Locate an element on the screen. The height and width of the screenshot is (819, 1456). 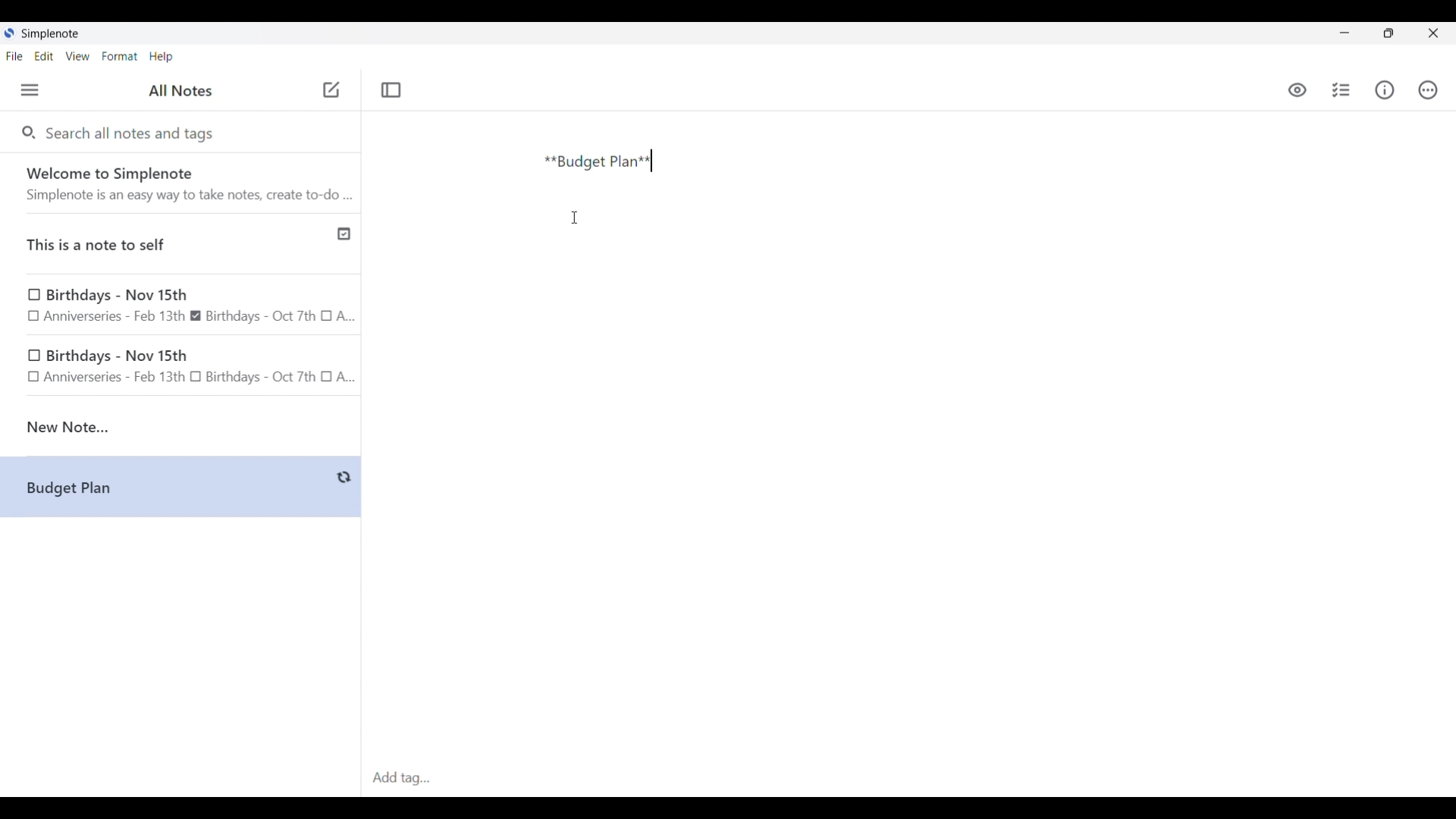
Close interface is located at coordinates (1433, 33).